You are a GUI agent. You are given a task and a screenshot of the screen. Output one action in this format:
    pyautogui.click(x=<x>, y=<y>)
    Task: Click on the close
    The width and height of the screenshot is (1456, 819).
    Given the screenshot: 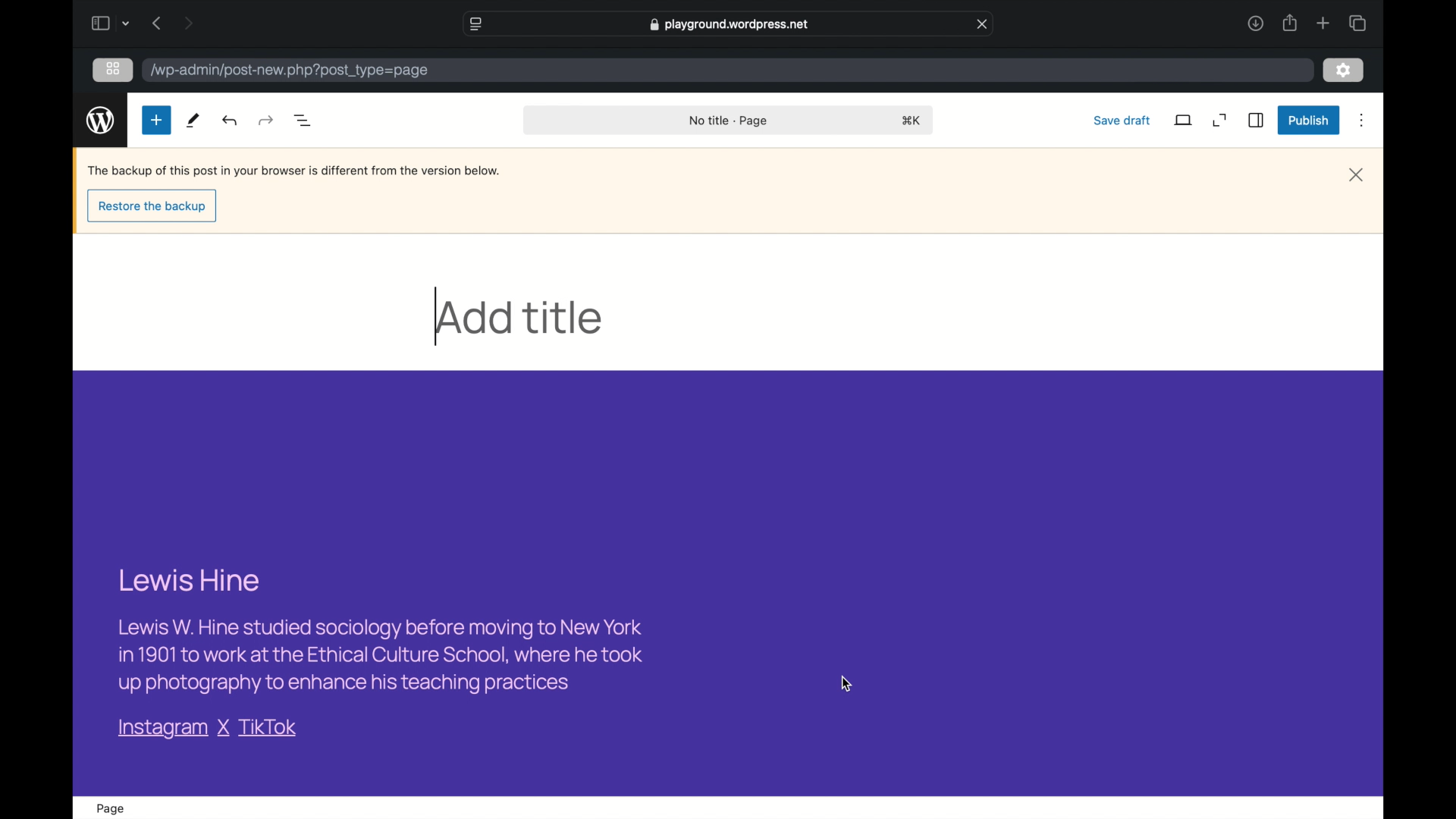 What is the action you would take?
    pyautogui.click(x=1357, y=175)
    